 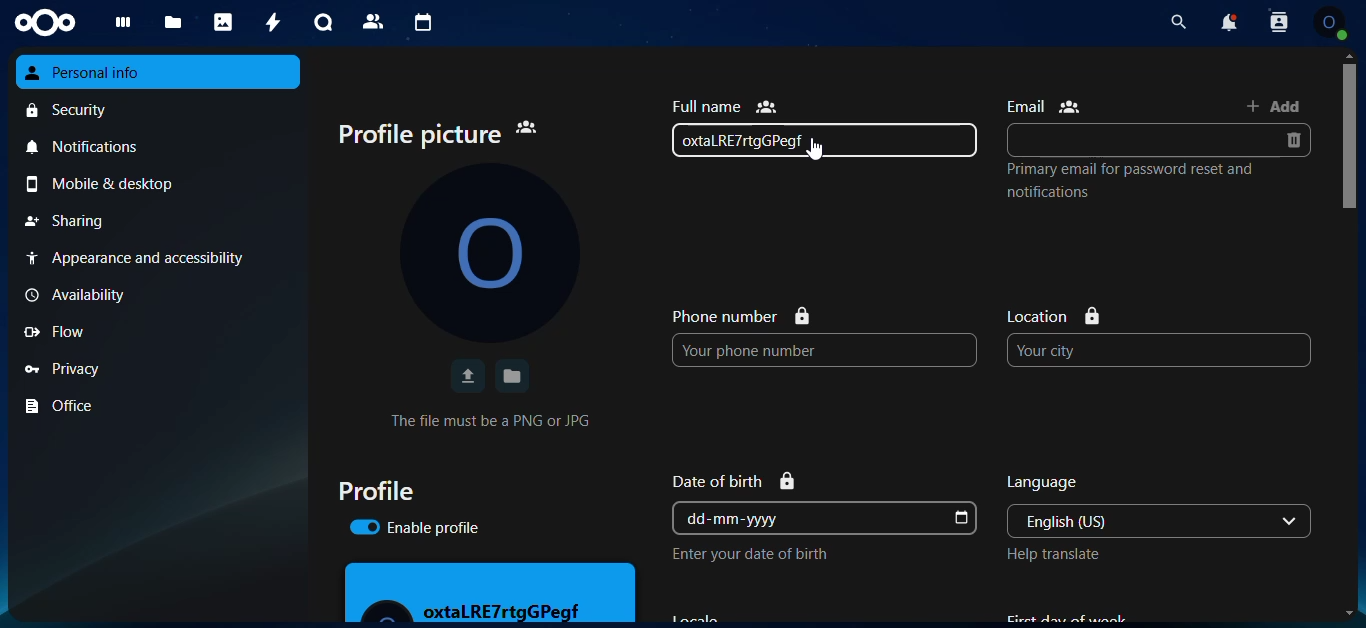 What do you see at coordinates (724, 106) in the screenshot?
I see `full name` at bounding box center [724, 106].